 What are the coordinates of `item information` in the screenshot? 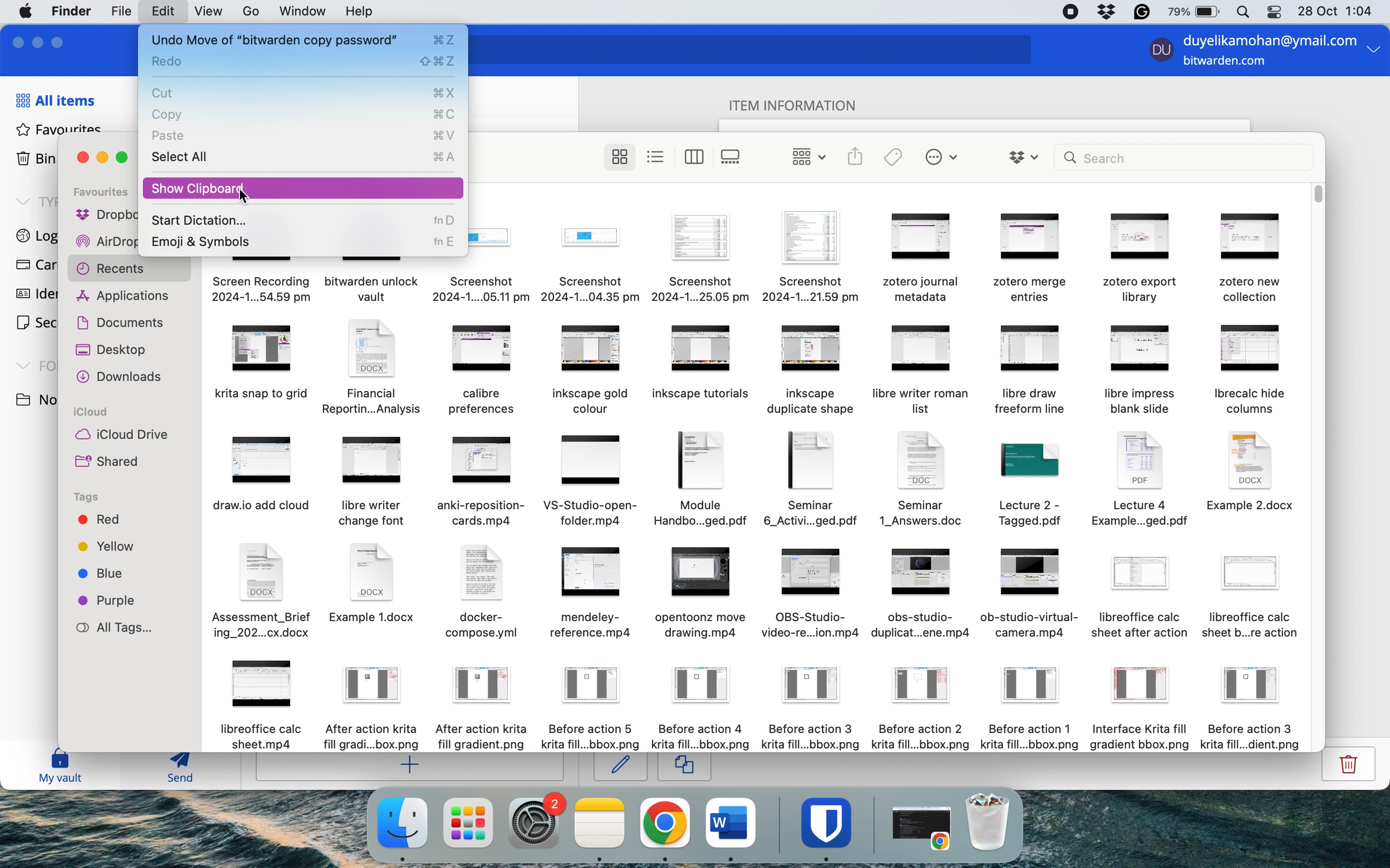 It's located at (804, 103).